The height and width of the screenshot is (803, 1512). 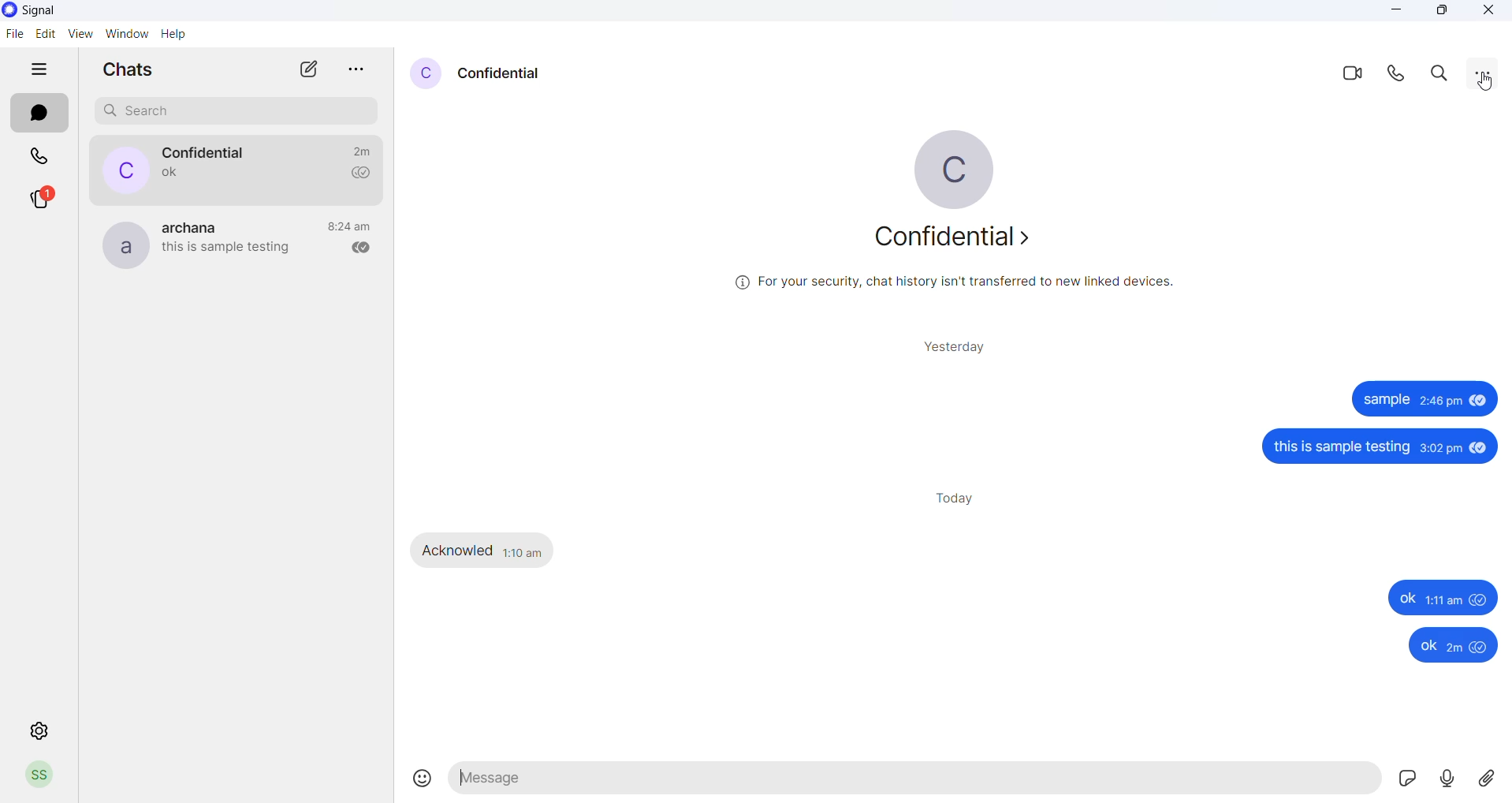 What do you see at coordinates (297, 69) in the screenshot?
I see `new chat` at bounding box center [297, 69].